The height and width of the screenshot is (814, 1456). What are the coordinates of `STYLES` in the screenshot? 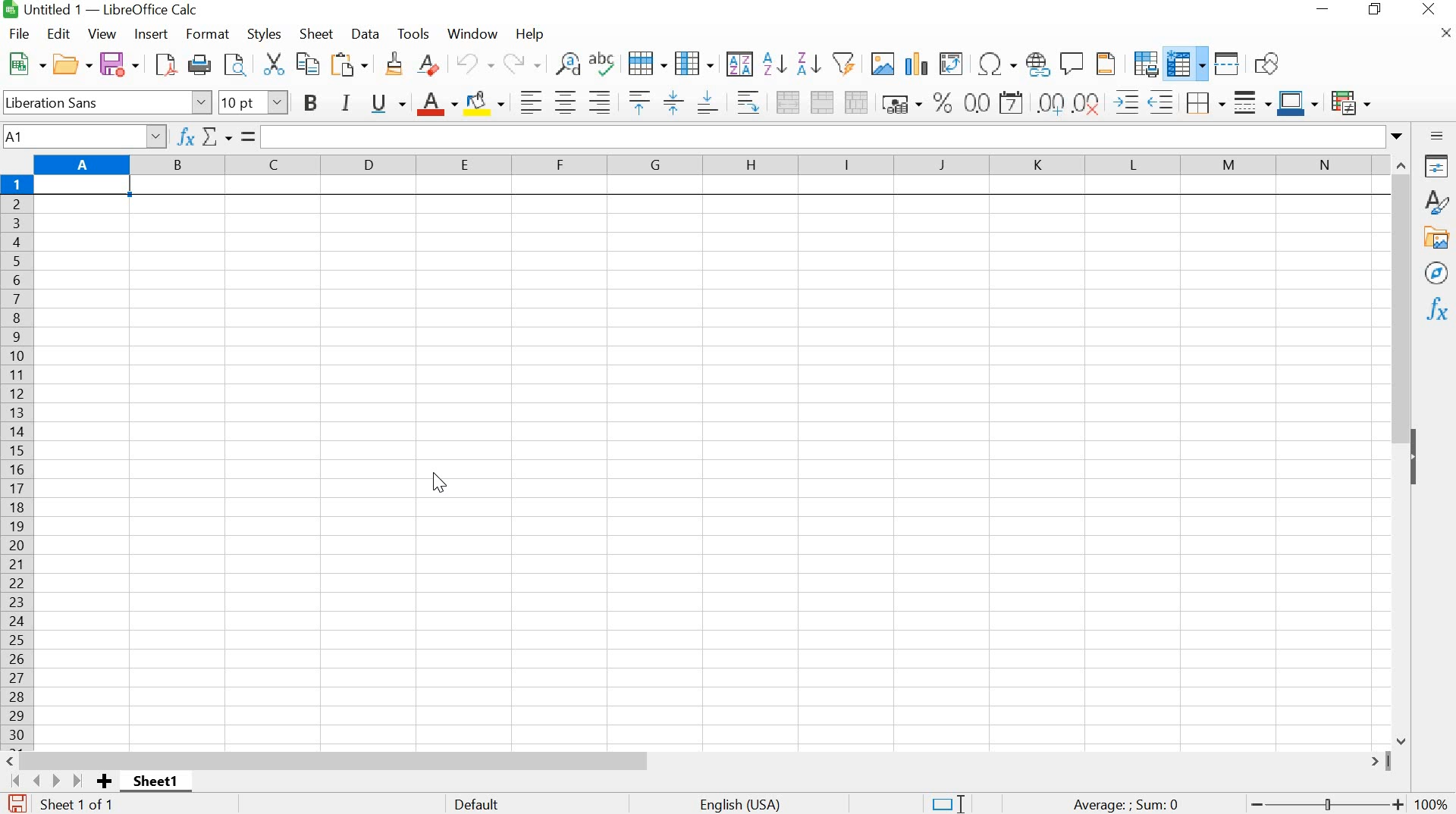 It's located at (1436, 202).